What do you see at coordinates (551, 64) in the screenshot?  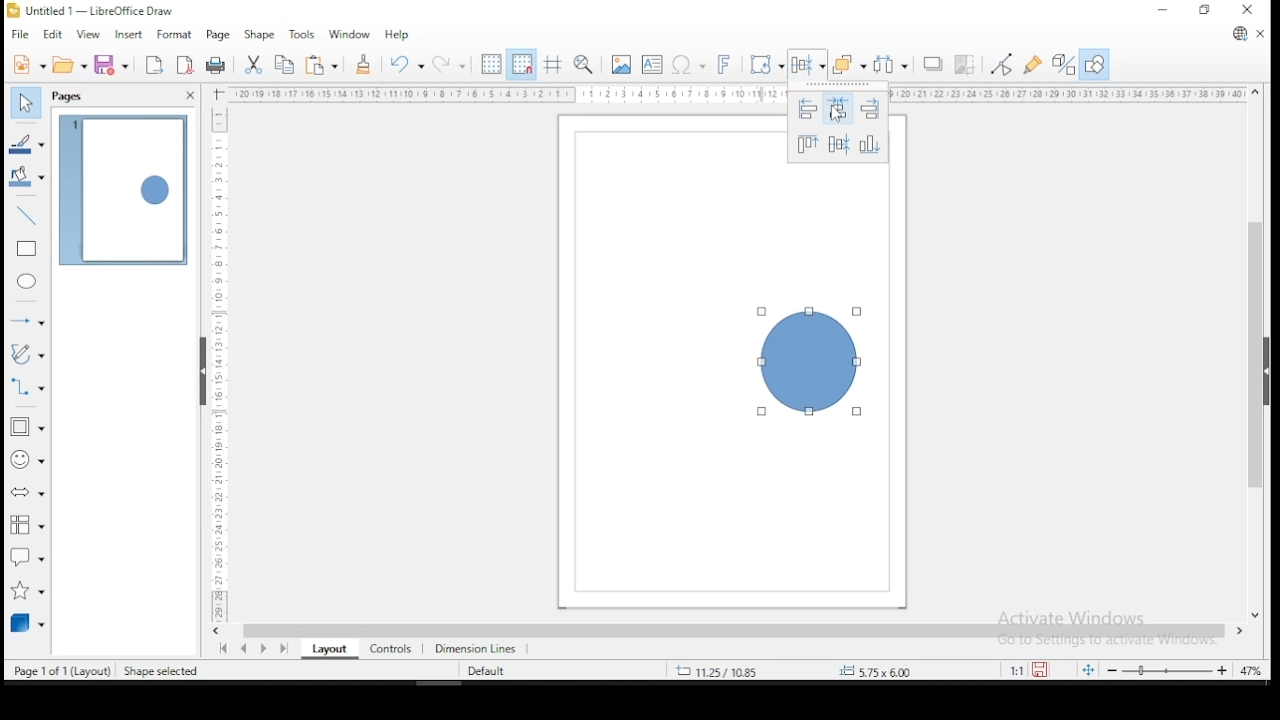 I see `helplines when moving` at bounding box center [551, 64].